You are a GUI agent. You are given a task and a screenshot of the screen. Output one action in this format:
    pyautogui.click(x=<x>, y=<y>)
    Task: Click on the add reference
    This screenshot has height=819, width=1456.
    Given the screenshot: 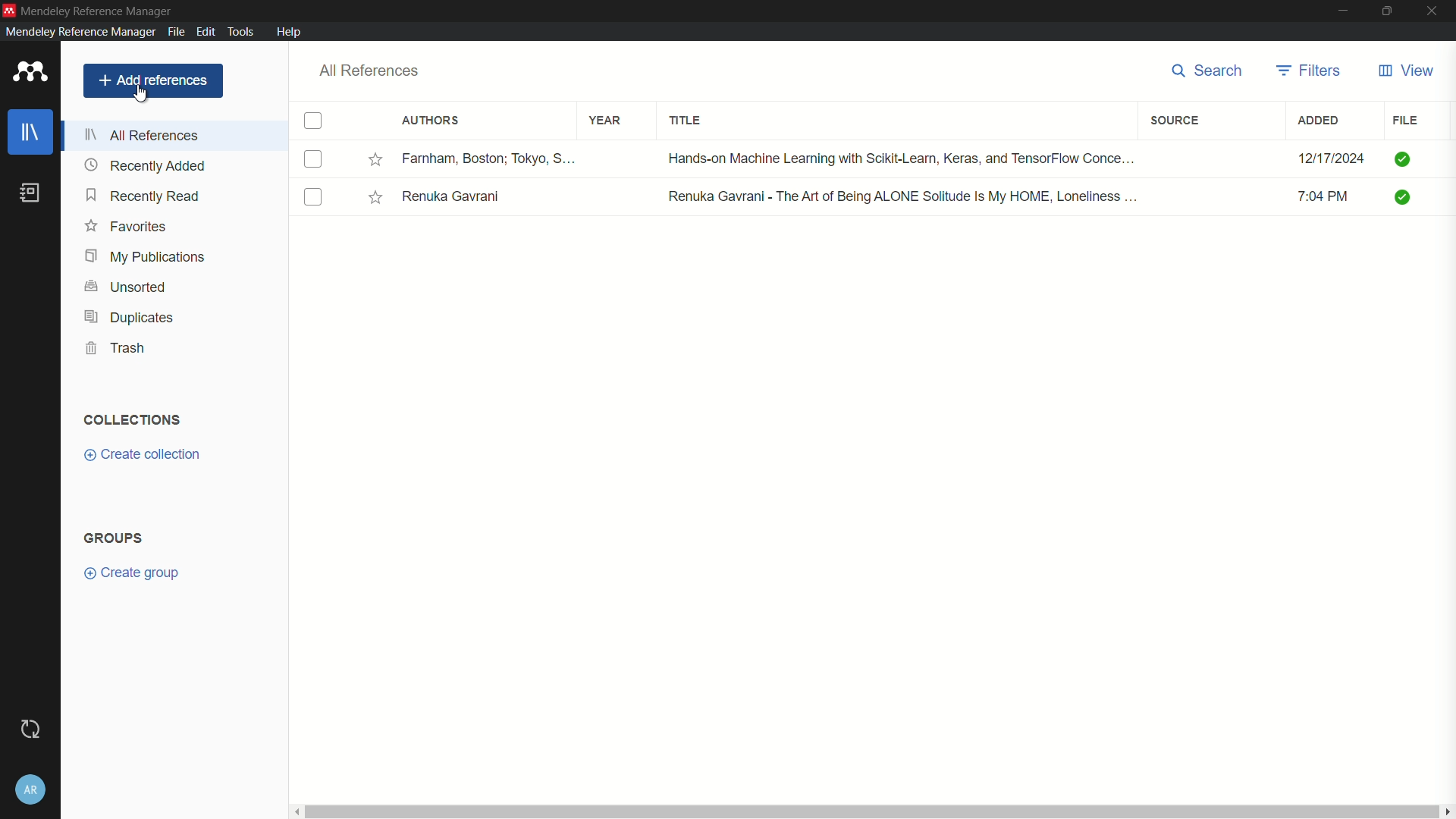 What is the action you would take?
    pyautogui.click(x=153, y=80)
    